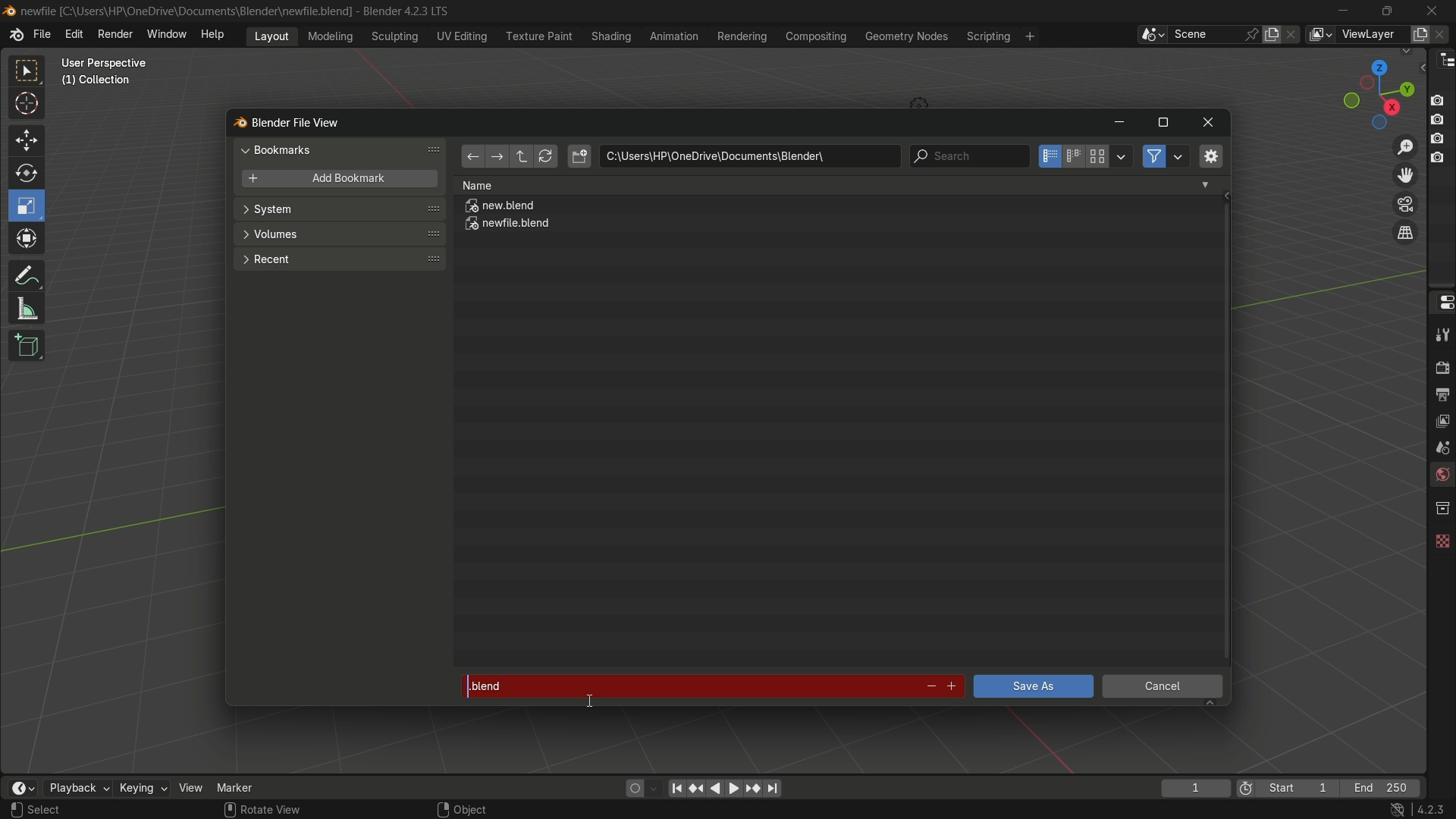 This screenshot has width=1456, height=819. I want to click on newfile.blend file, so click(509, 226).